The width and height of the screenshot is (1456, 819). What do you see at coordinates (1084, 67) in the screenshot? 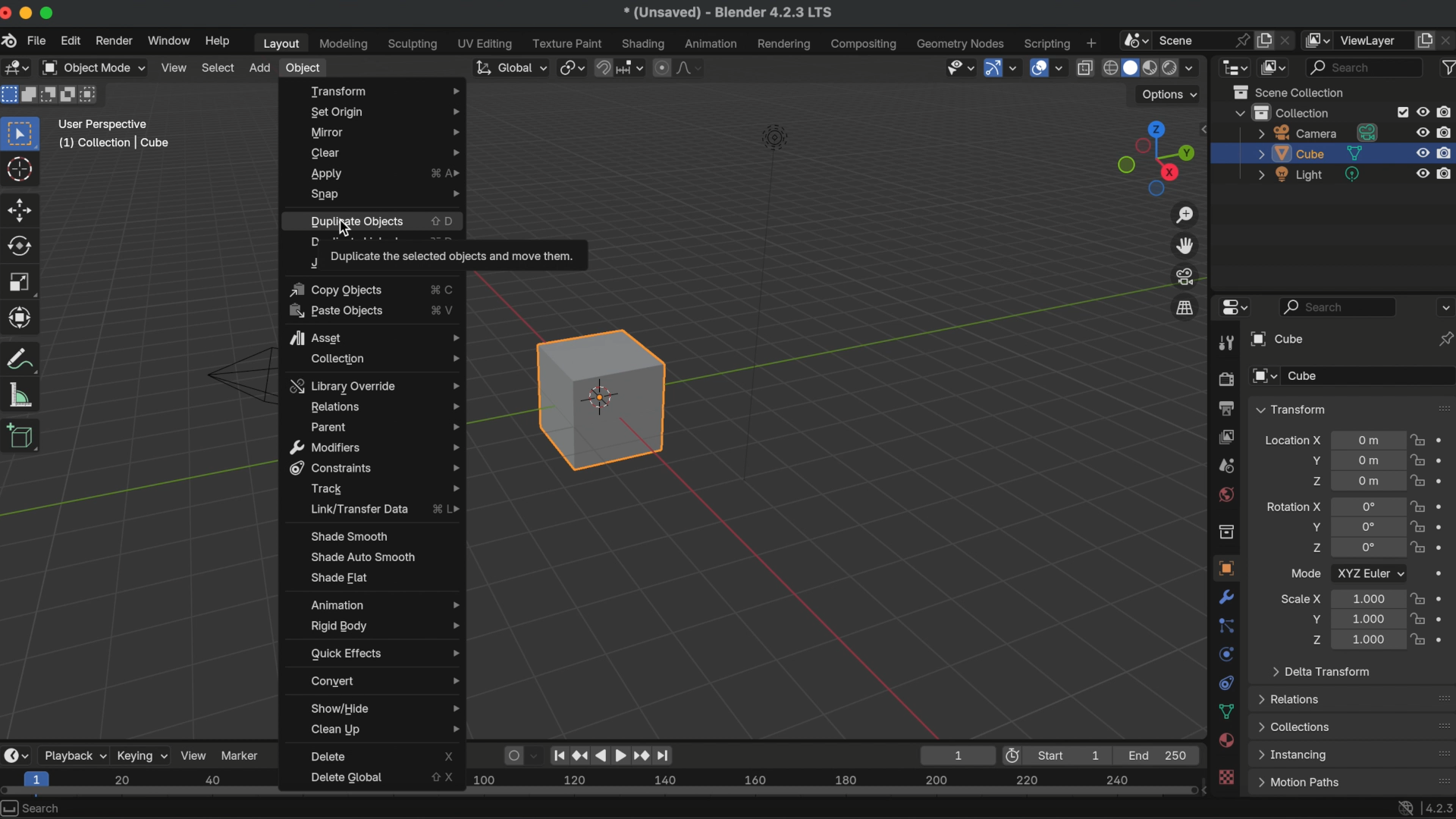
I see `toggle x-ray` at bounding box center [1084, 67].